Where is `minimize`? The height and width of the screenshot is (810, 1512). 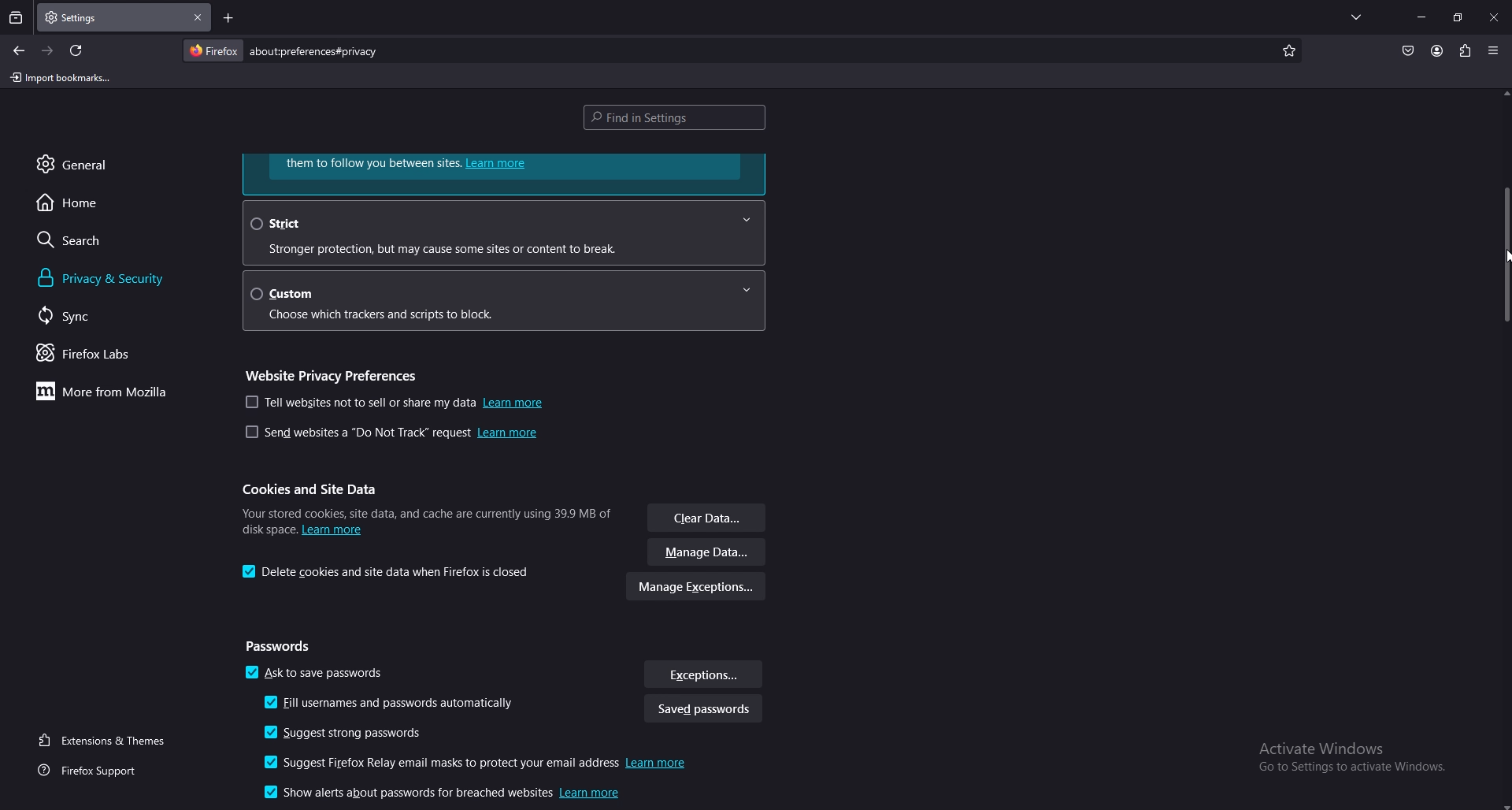
minimize is located at coordinates (1423, 17).